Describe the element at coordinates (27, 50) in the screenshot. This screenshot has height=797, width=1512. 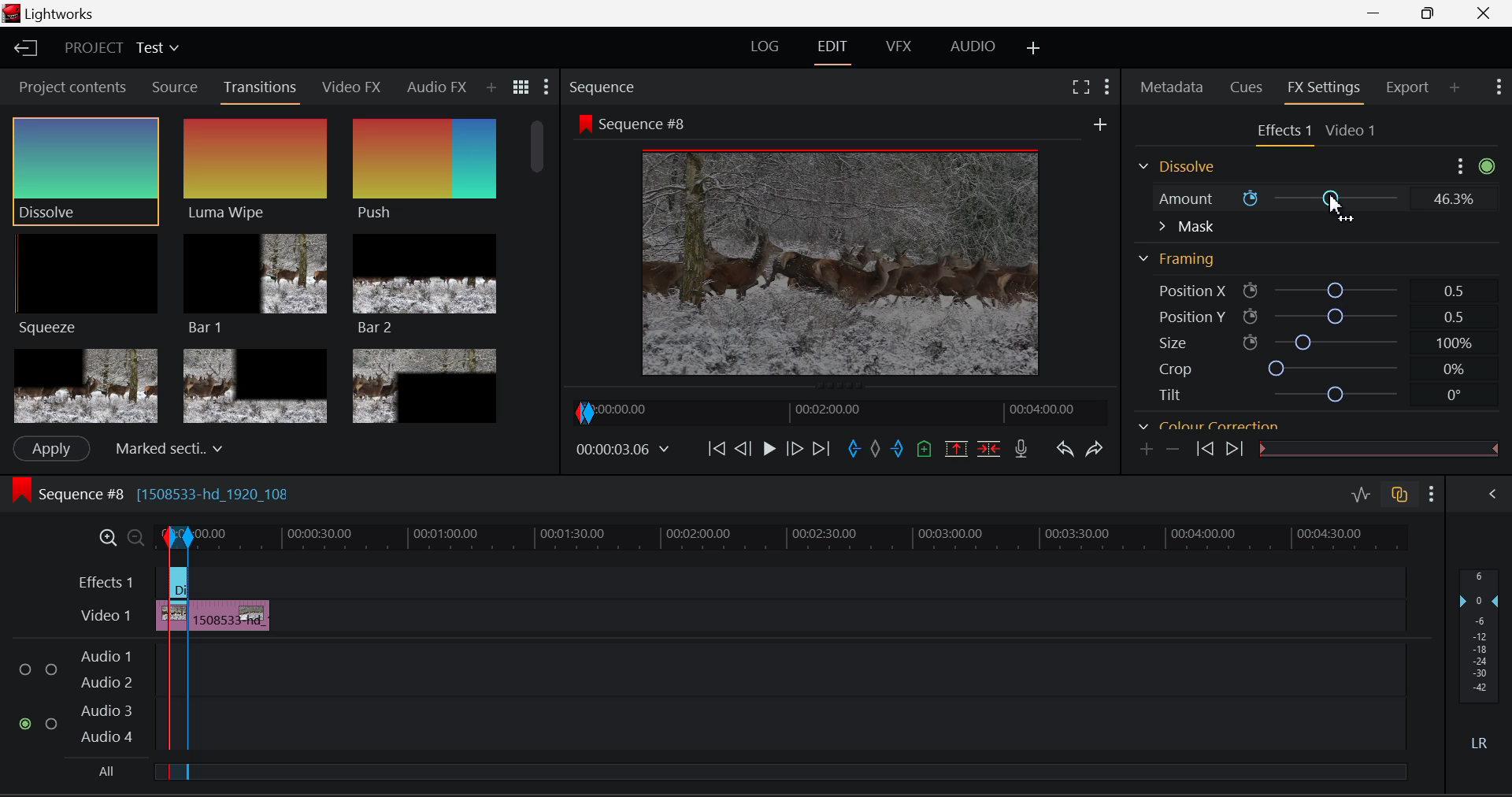
I see `Go to Homepage` at that location.